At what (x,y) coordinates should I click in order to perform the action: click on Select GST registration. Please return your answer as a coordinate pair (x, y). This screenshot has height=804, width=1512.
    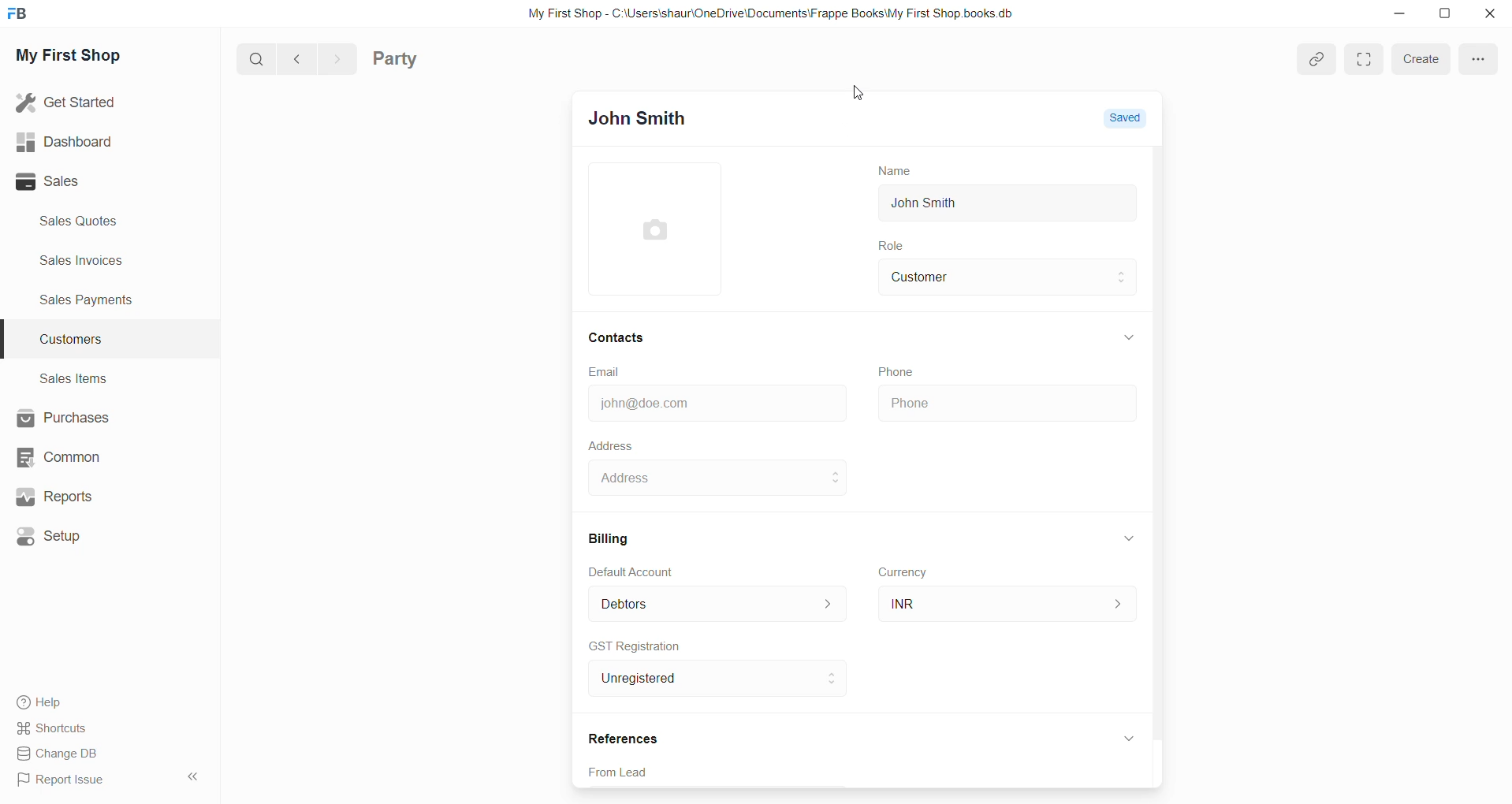
    Looking at the image, I should click on (693, 679).